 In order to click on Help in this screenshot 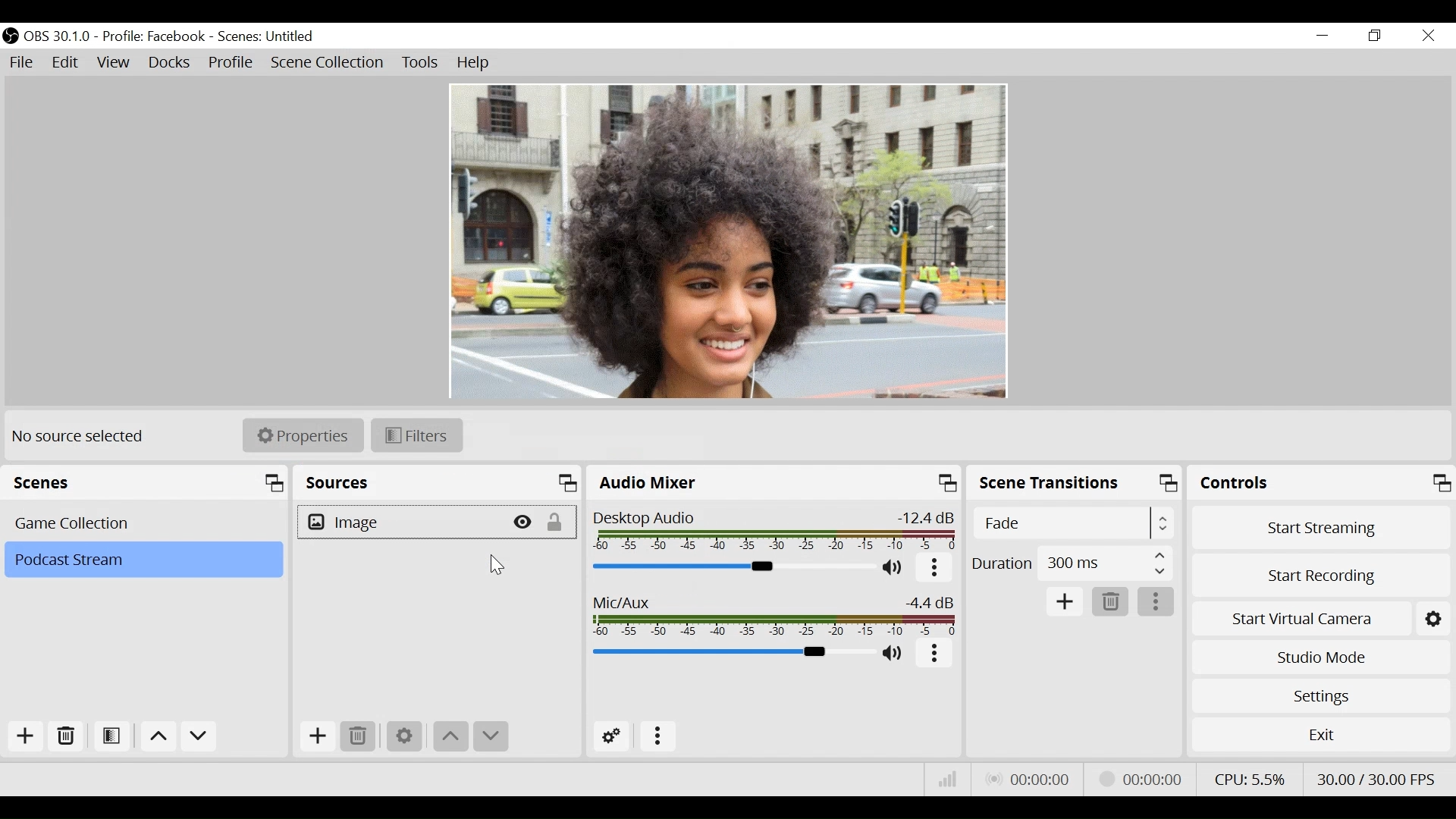, I will do `click(472, 64)`.